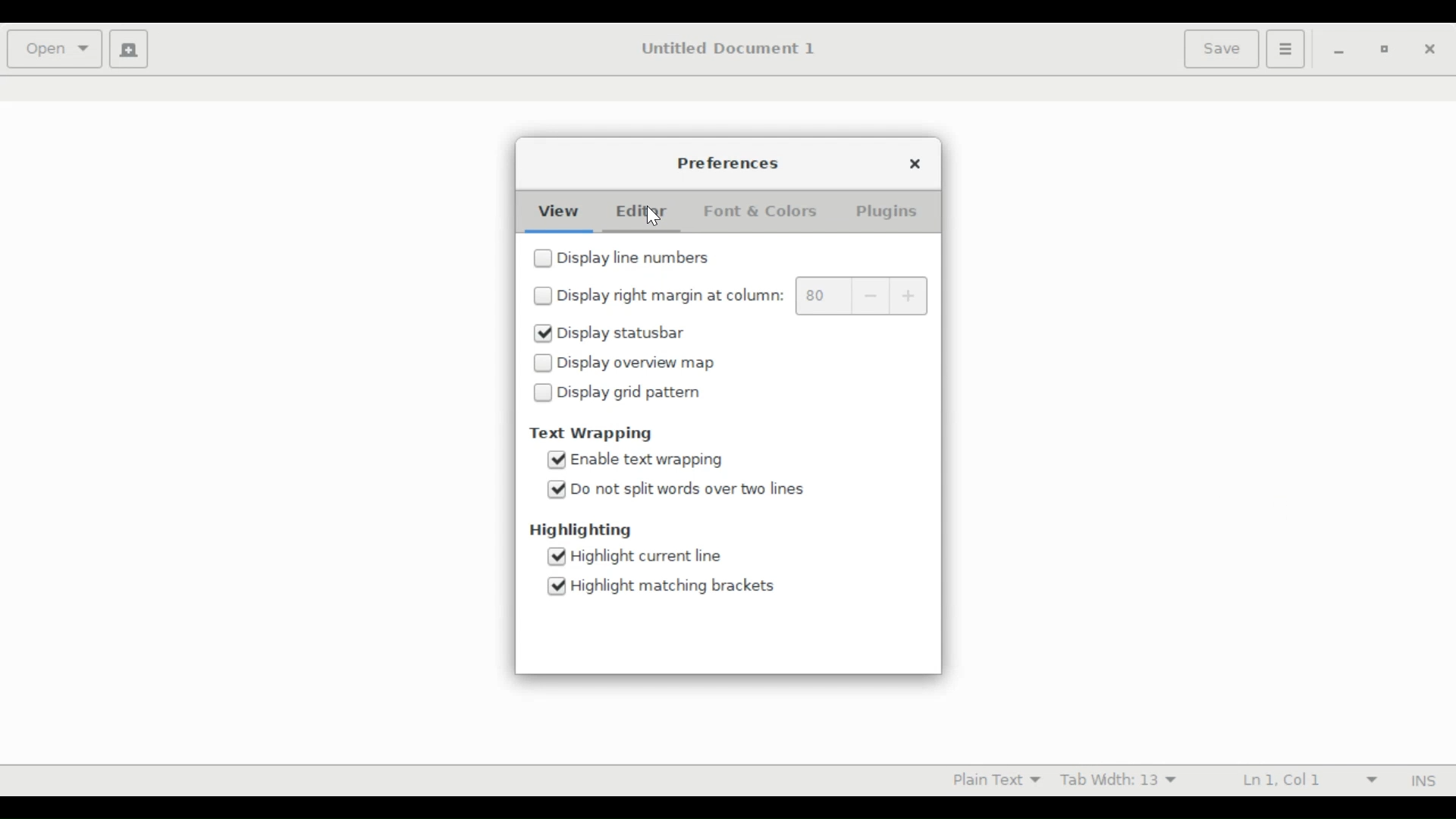 This screenshot has width=1456, height=819. Describe the element at coordinates (648, 557) in the screenshot. I see `(un)check Highlight current line` at that location.